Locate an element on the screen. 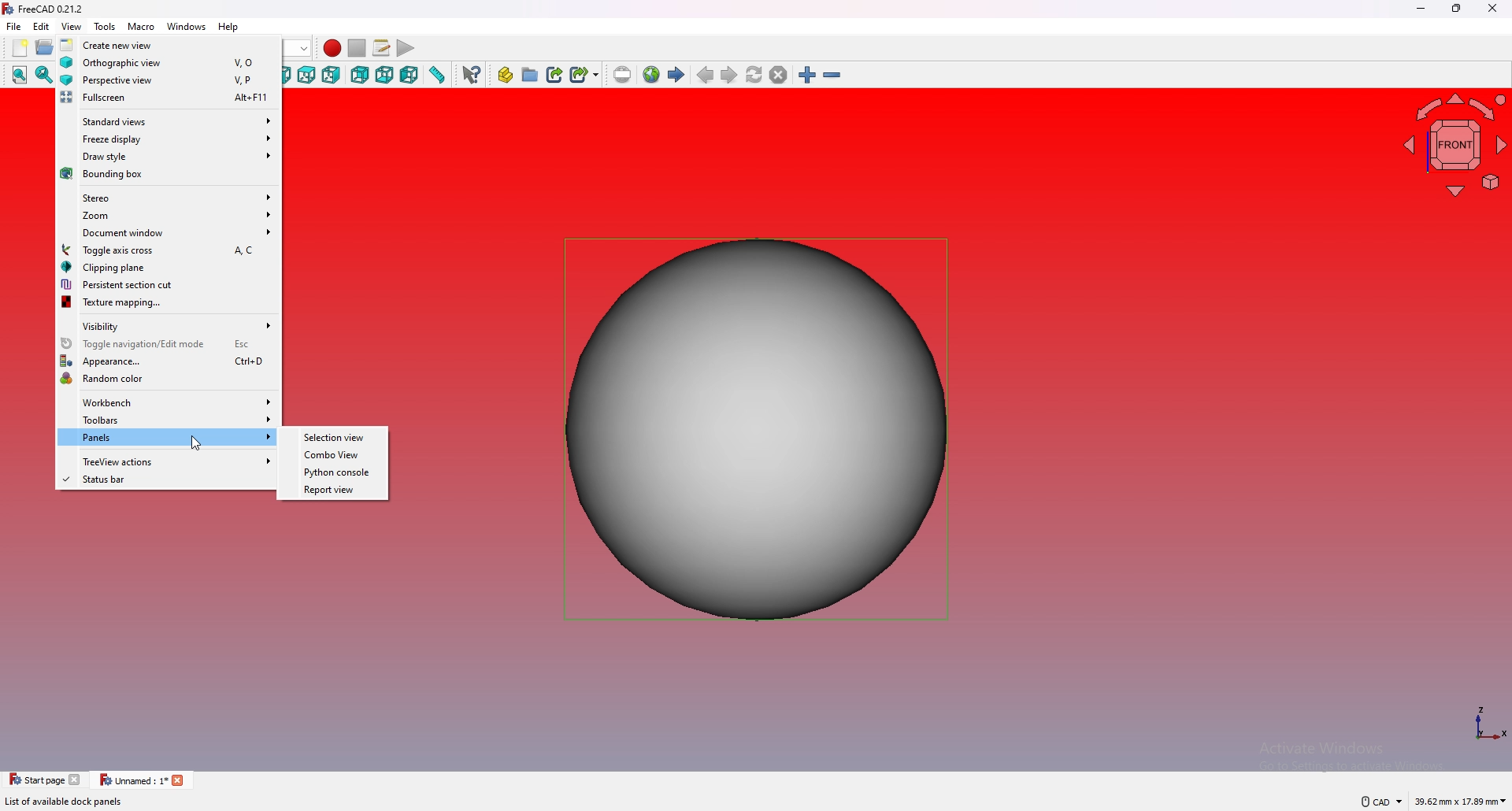 Image resolution: width=1512 pixels, height=811 pixels. previous page is located at coordinates (706, 76).